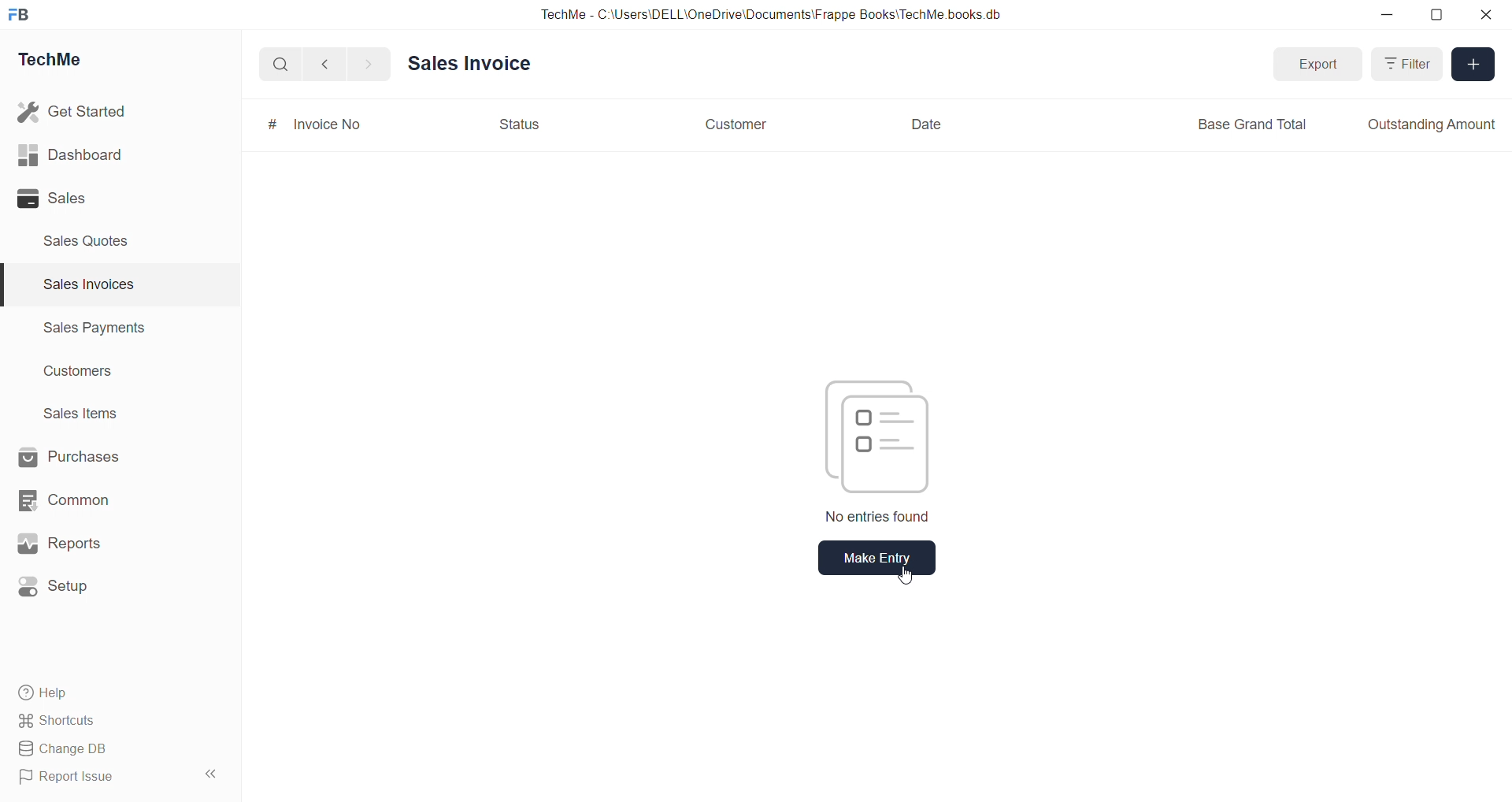 The height and width of the screenshot is (802, 1512). I want to click on TechMe, so click(50, 60).